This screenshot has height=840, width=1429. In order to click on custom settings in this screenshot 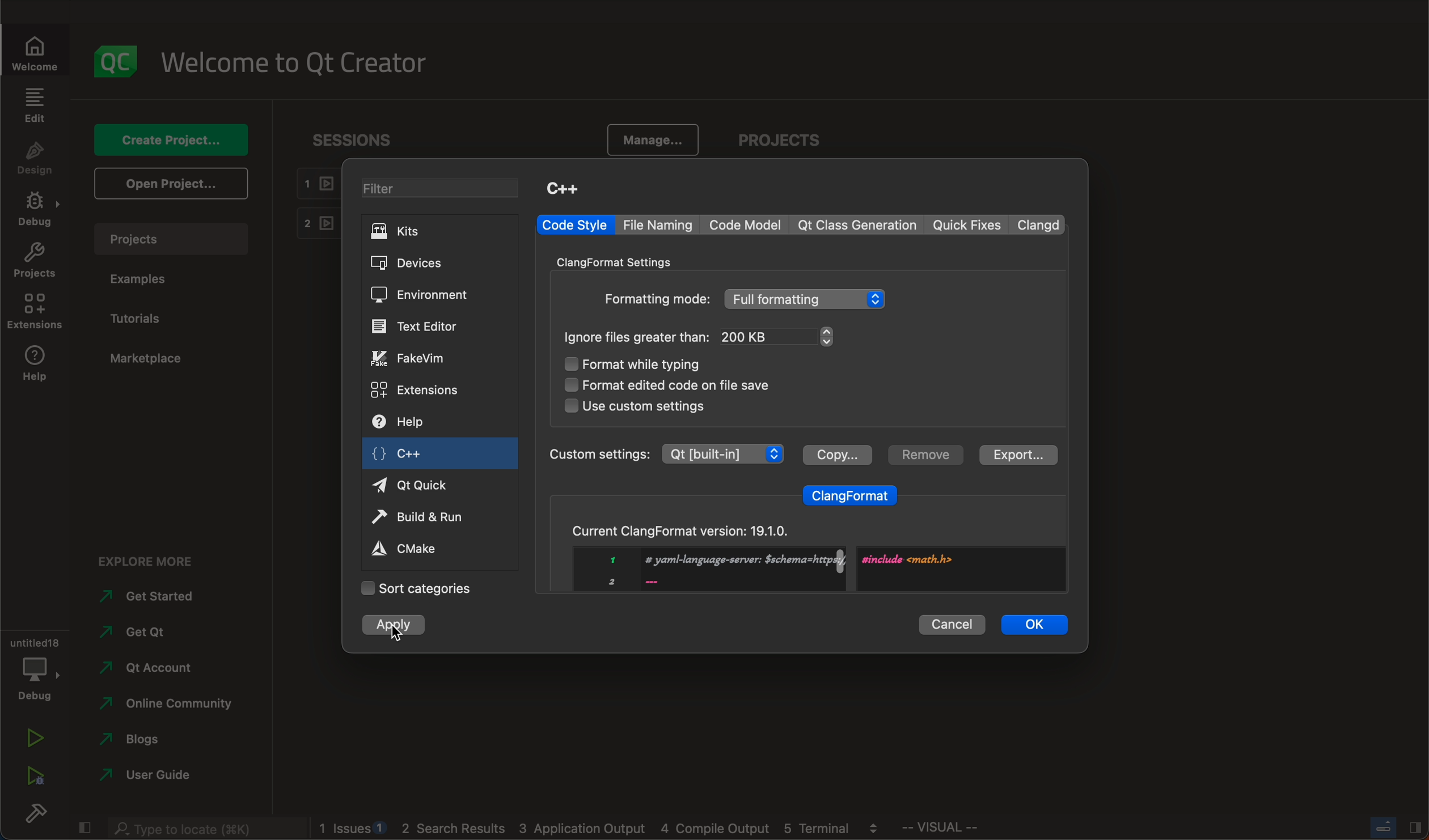, I will do `click(635, 406)`.